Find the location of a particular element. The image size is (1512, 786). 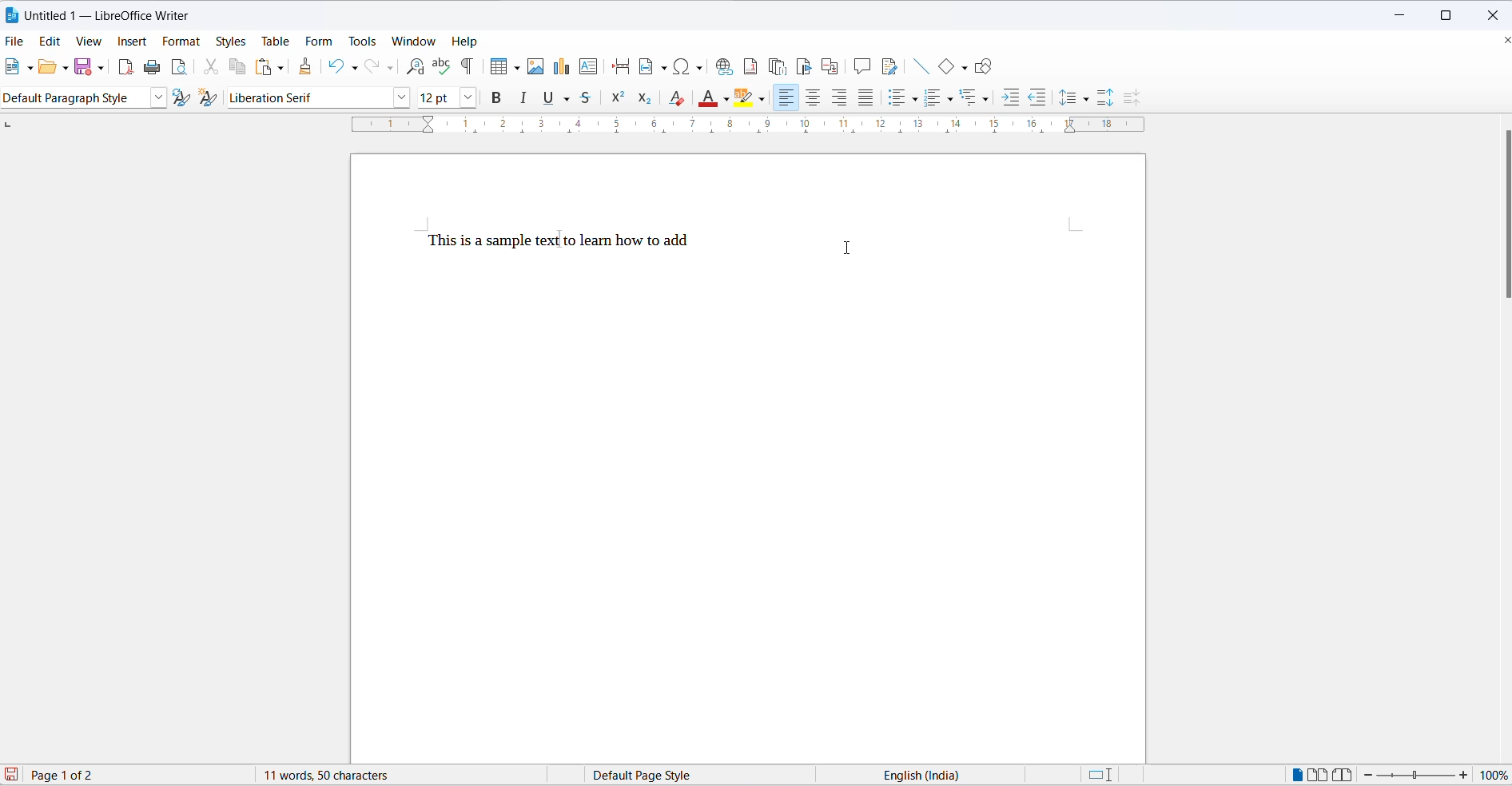

cursor is located at coordinates (852, 250).